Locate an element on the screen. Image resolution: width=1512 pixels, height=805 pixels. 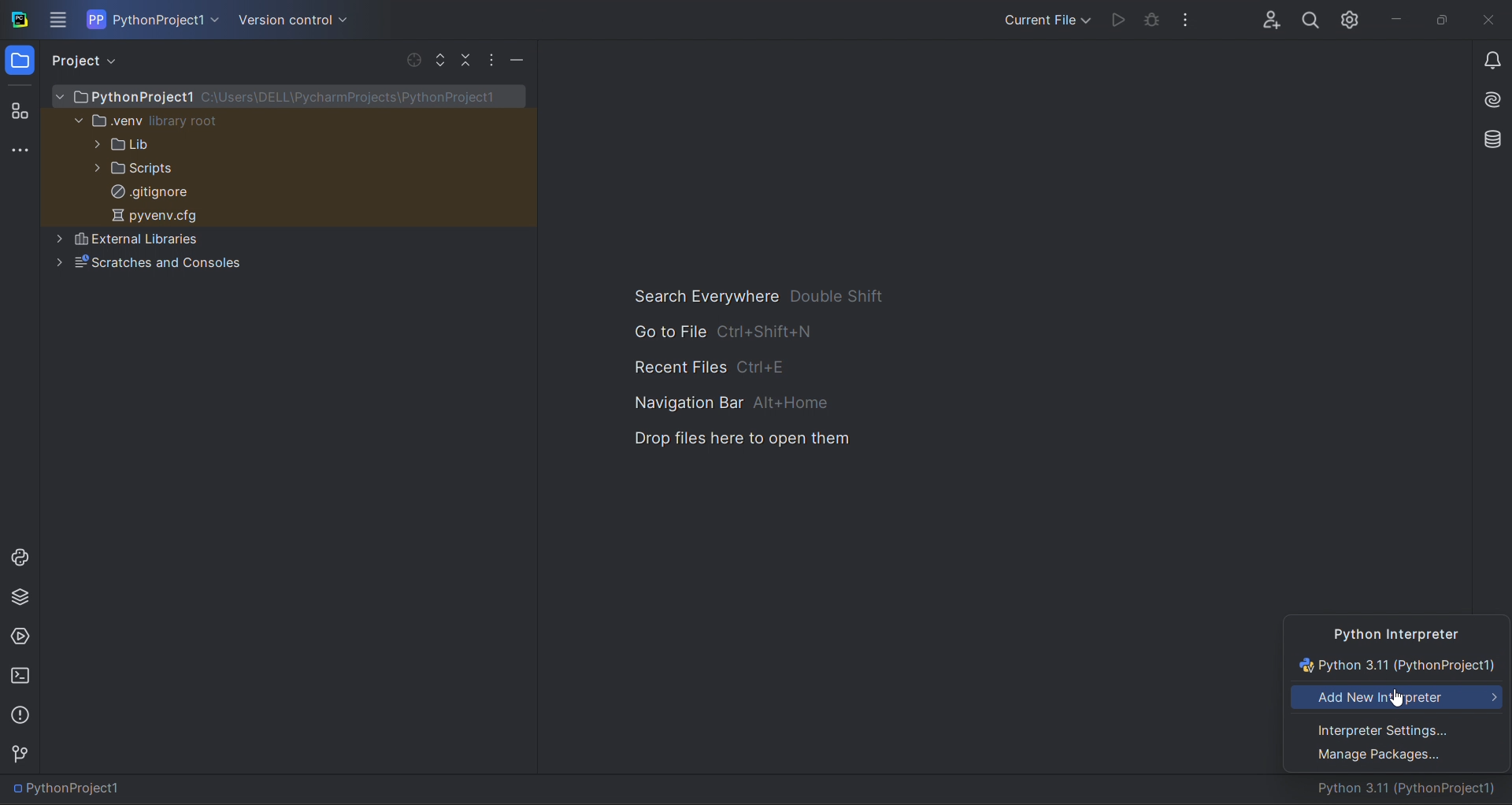
interpreter is located at coordinates (1411, 789).